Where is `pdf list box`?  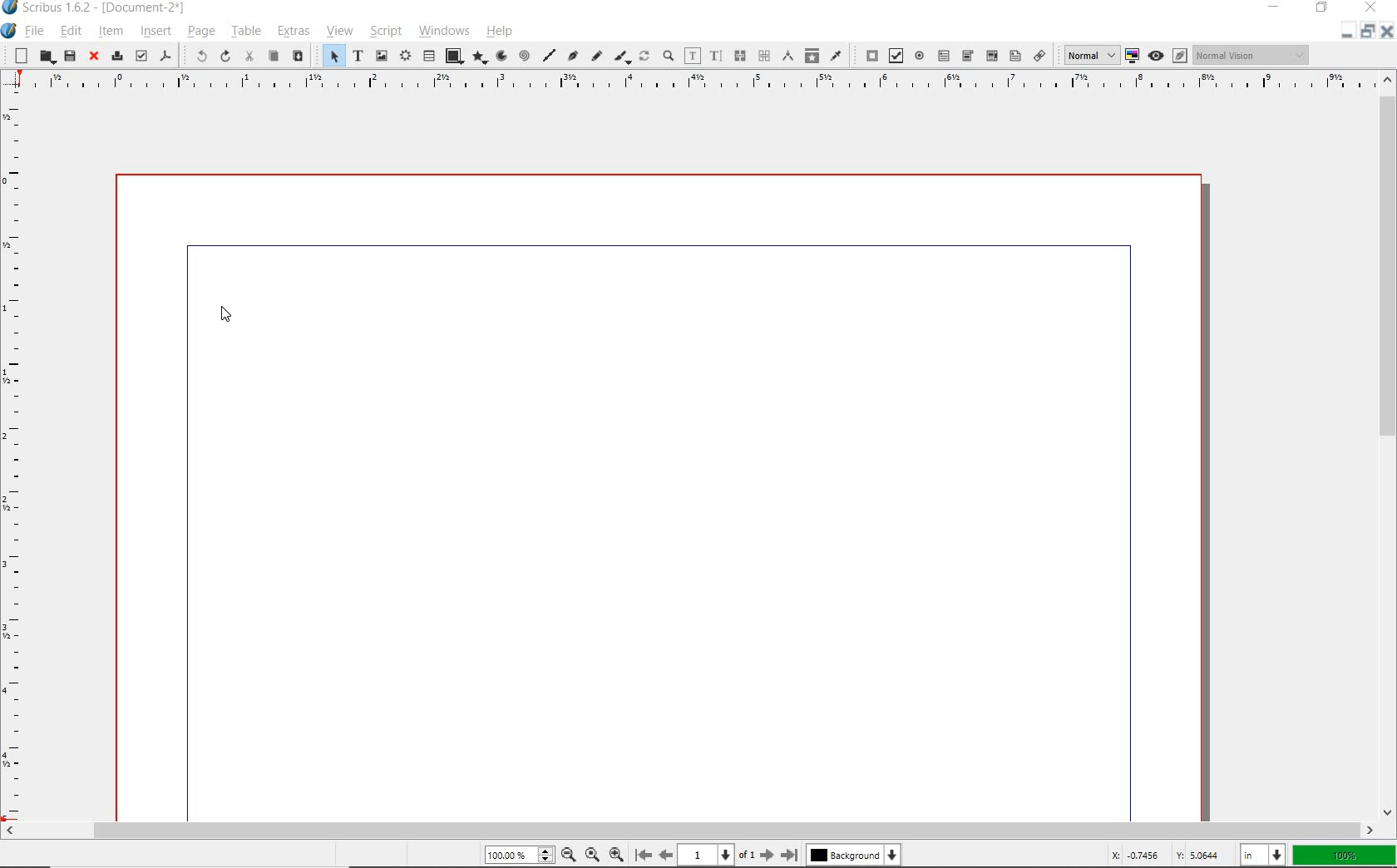 pdf list box is located at coordinates (1014, 55).